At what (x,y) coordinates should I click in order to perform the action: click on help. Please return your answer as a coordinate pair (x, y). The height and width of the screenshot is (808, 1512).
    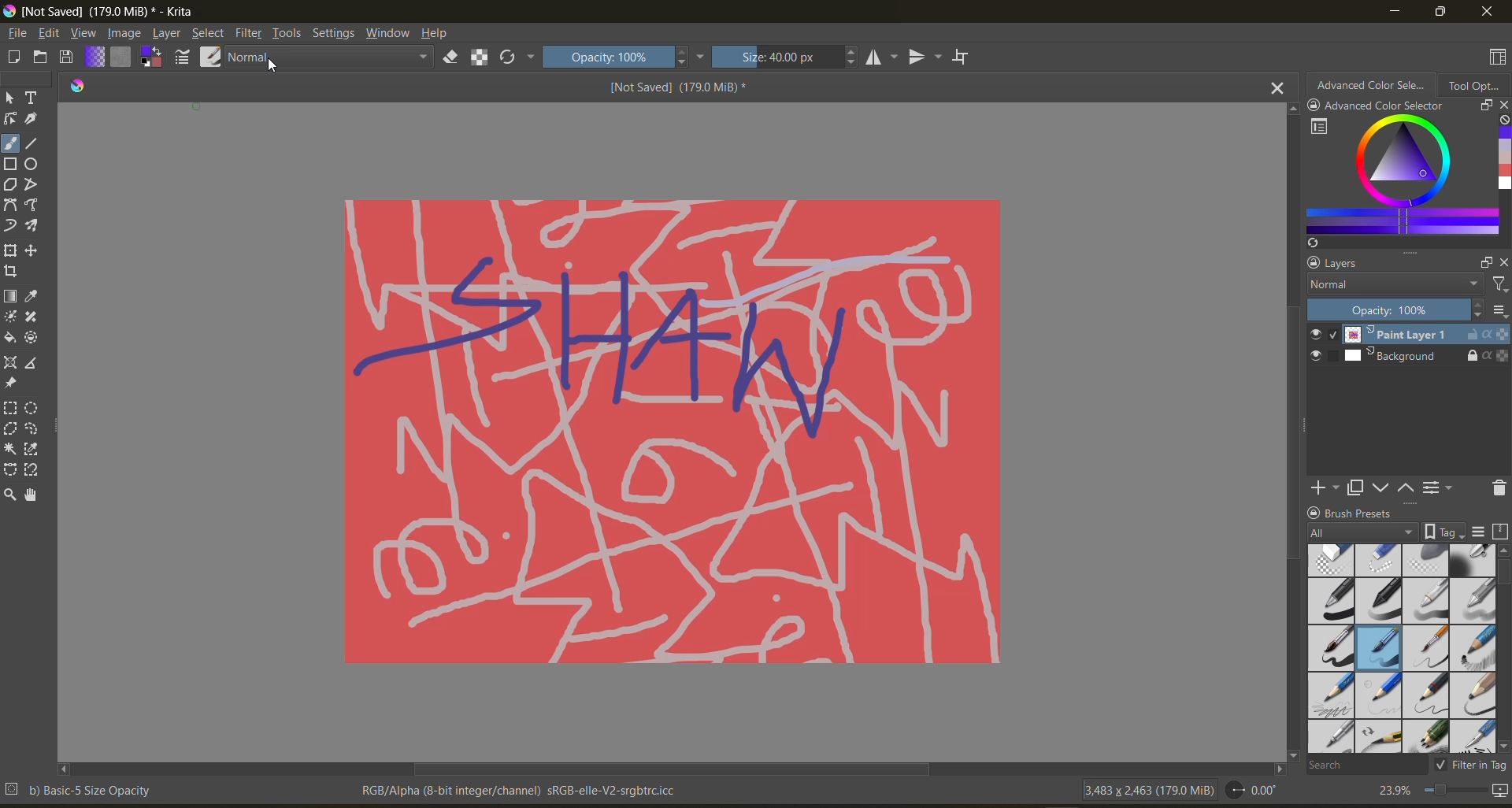
    Looking at the image, I should click on (439, 33).